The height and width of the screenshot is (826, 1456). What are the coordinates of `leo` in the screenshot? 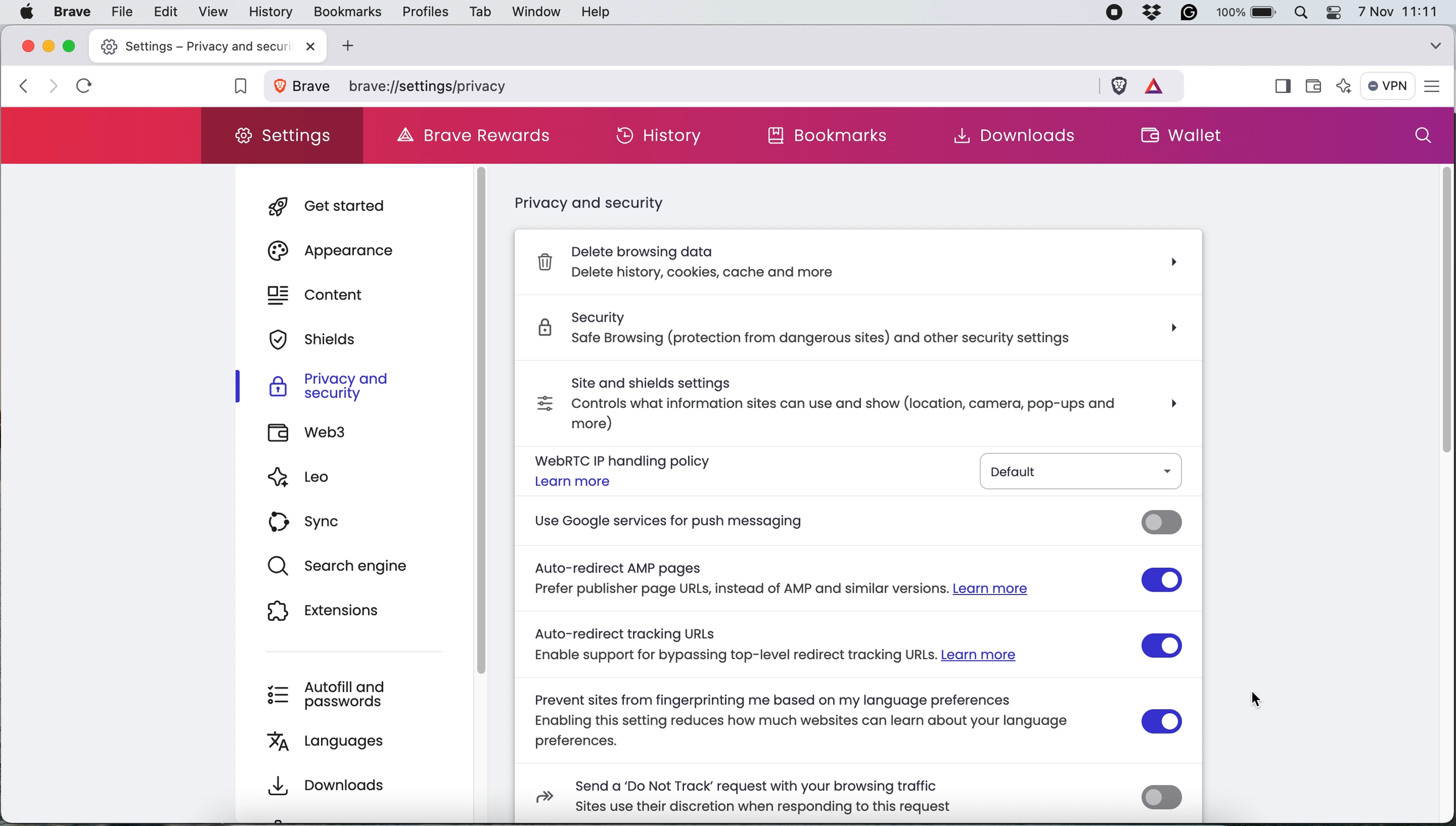 It's located at (318, 481).